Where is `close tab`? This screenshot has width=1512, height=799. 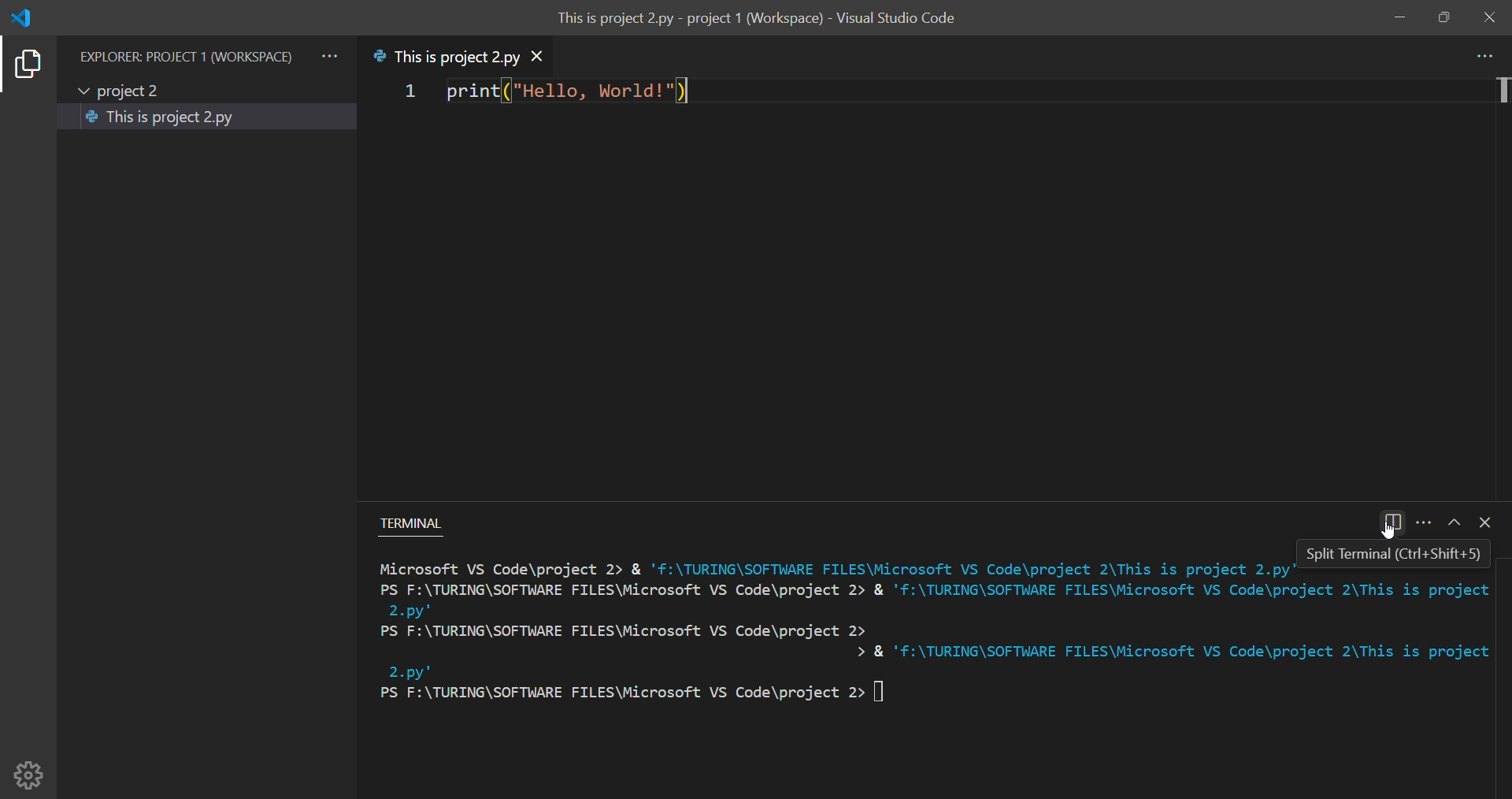
close tab is located at coordinates (553, 55).